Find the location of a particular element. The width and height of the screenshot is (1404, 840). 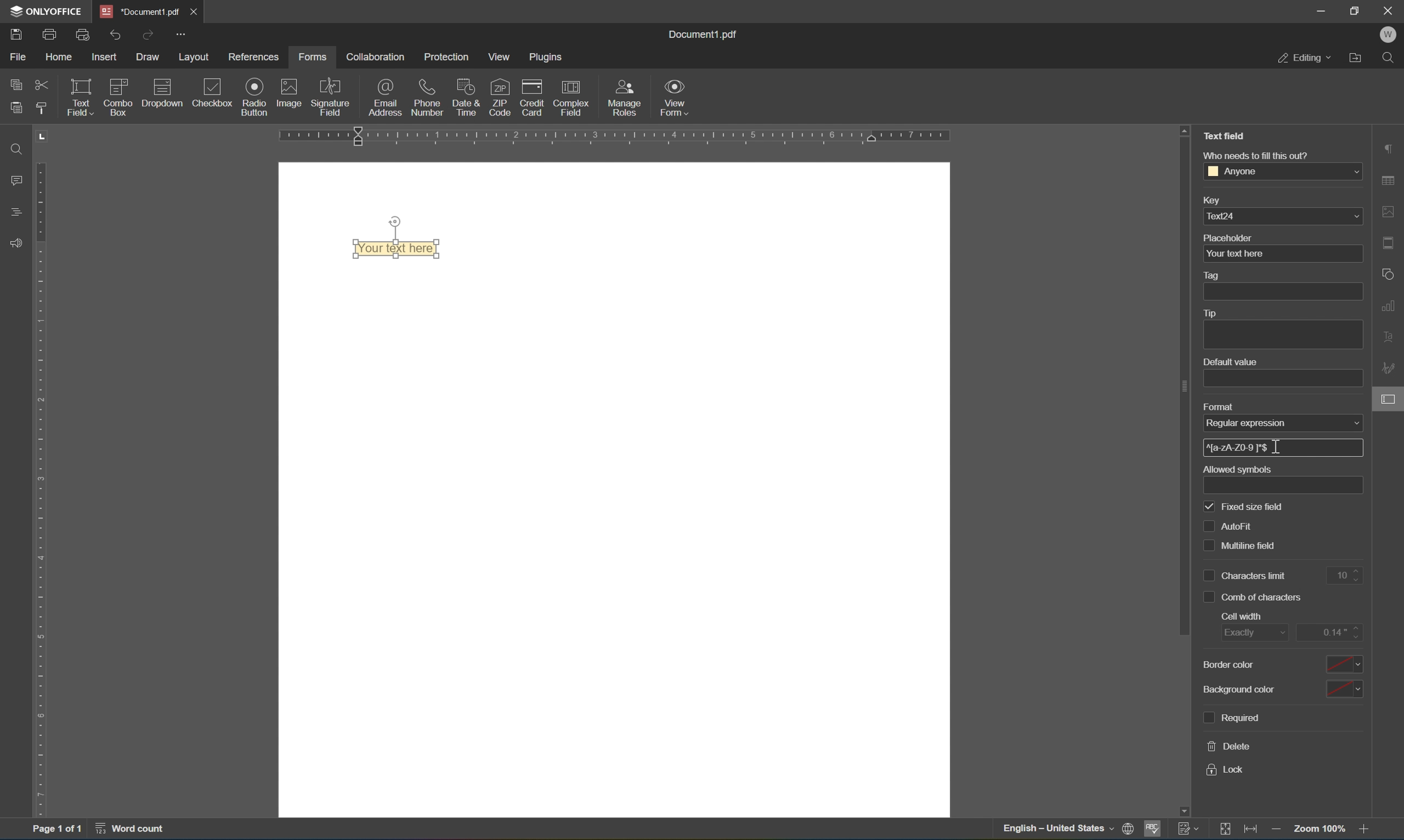

regular expression is located at coordinates (1283, 422).